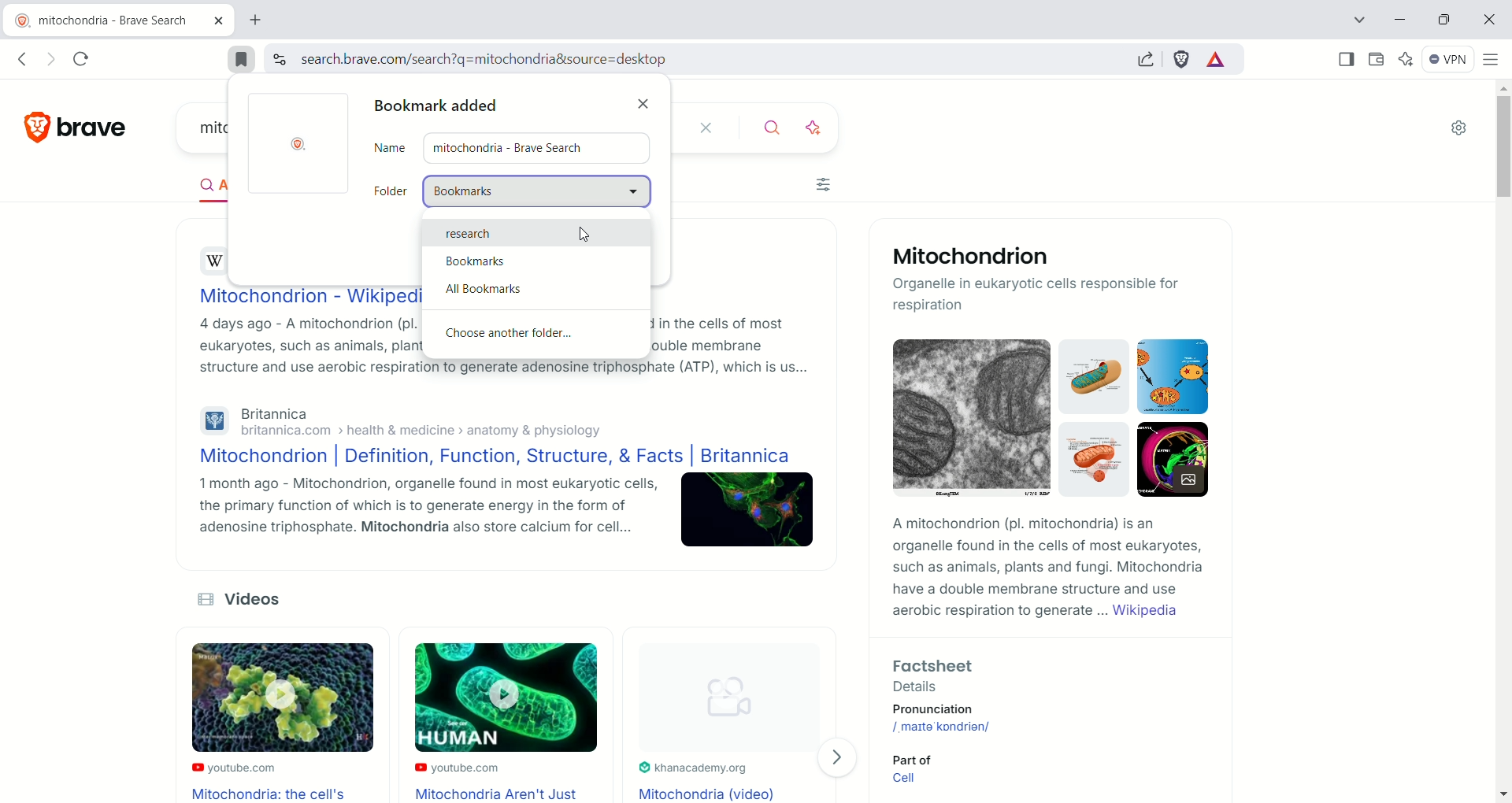 The image size is (1512, 803). What do you see at coordinates (503, 794) in the screenshot?
I see `Mitochondria Aren't Just` at bounding box center [503, 794].